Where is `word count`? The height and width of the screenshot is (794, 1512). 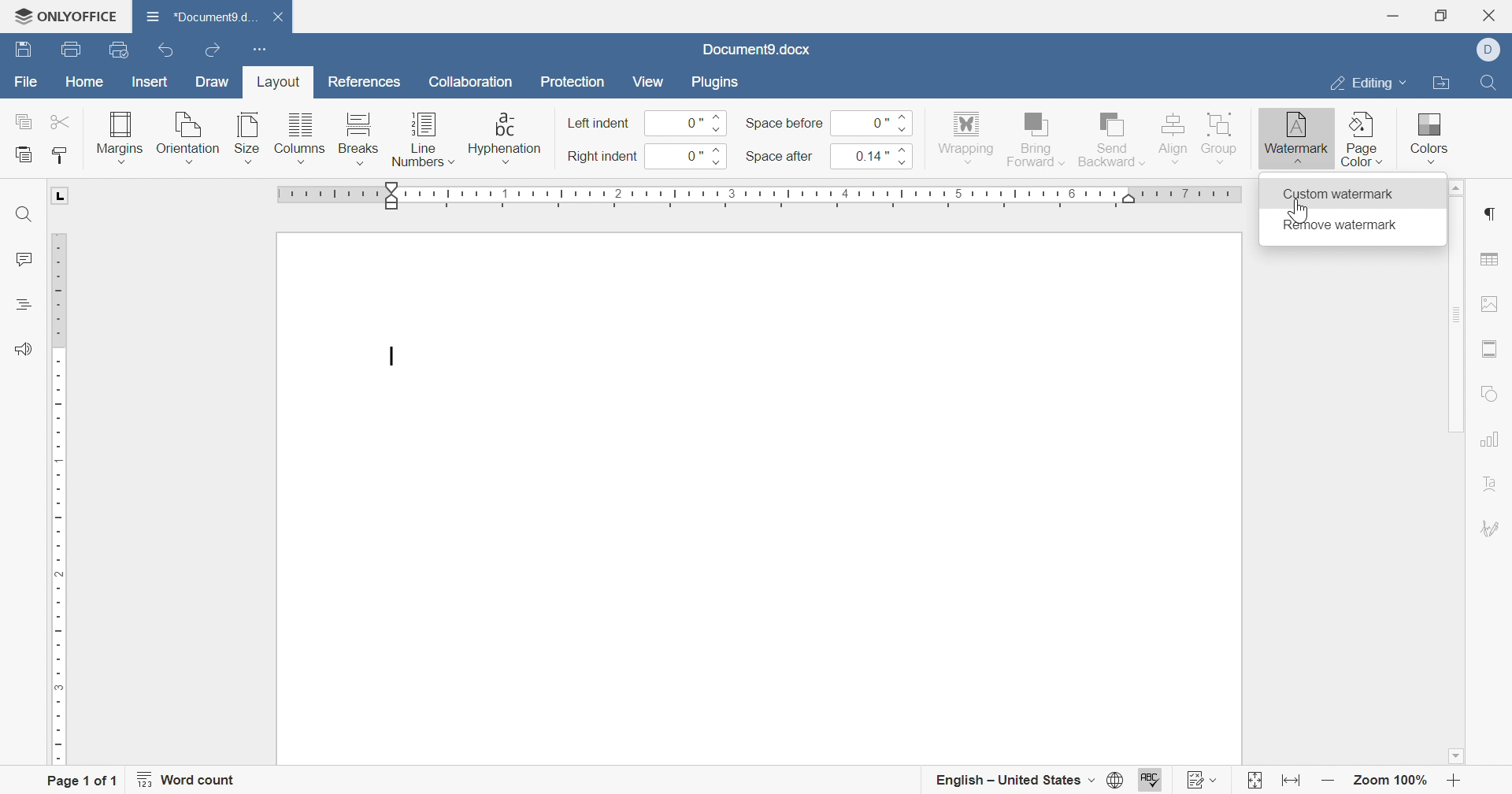 word count is located at coordinates (187, 780).